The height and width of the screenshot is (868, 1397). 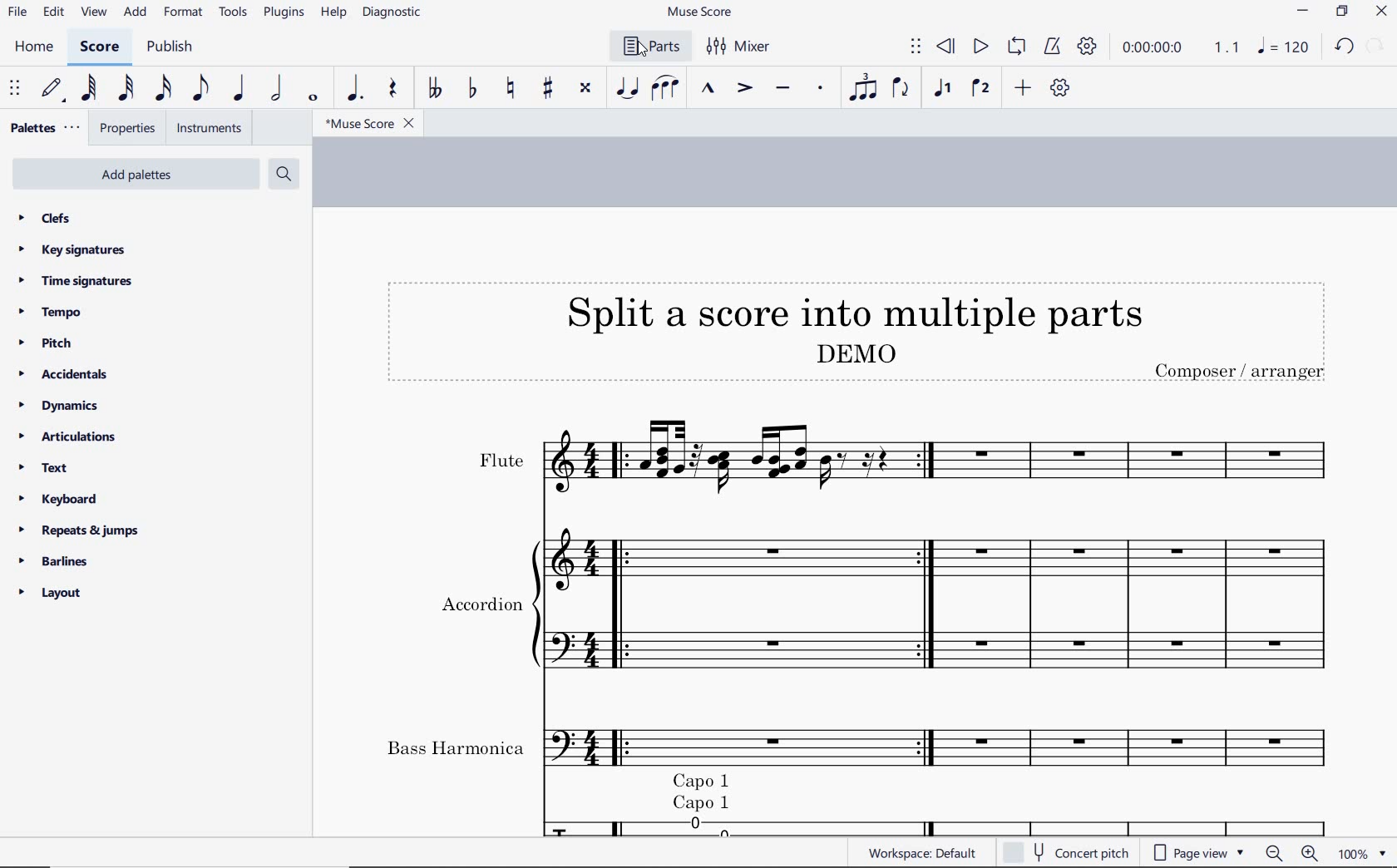 What do you see at coordinates (627, 89) in the screenshot?
I see `tie` at bounding box center [627, 89].